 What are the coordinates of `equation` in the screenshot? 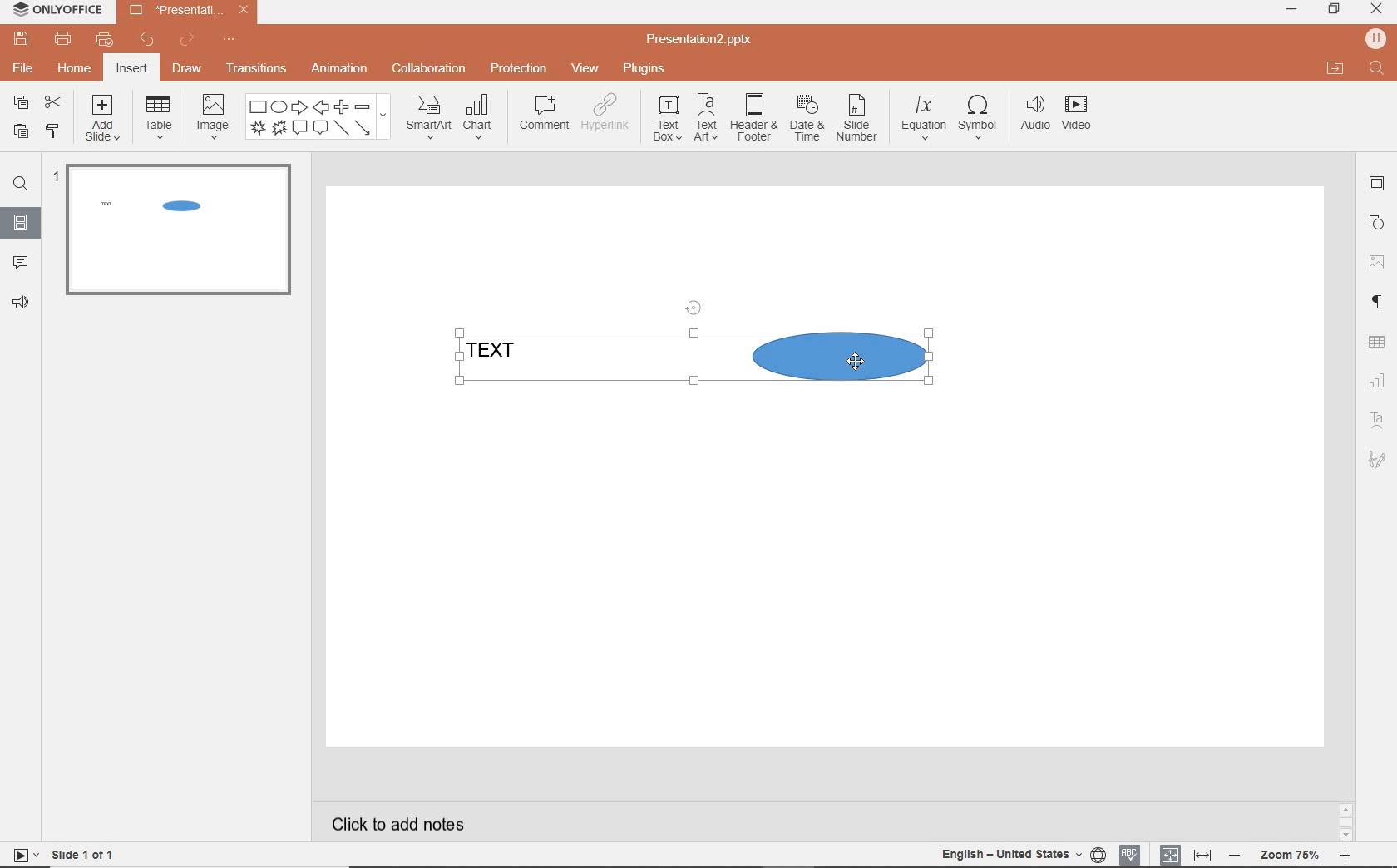 It's located at (921, 121).